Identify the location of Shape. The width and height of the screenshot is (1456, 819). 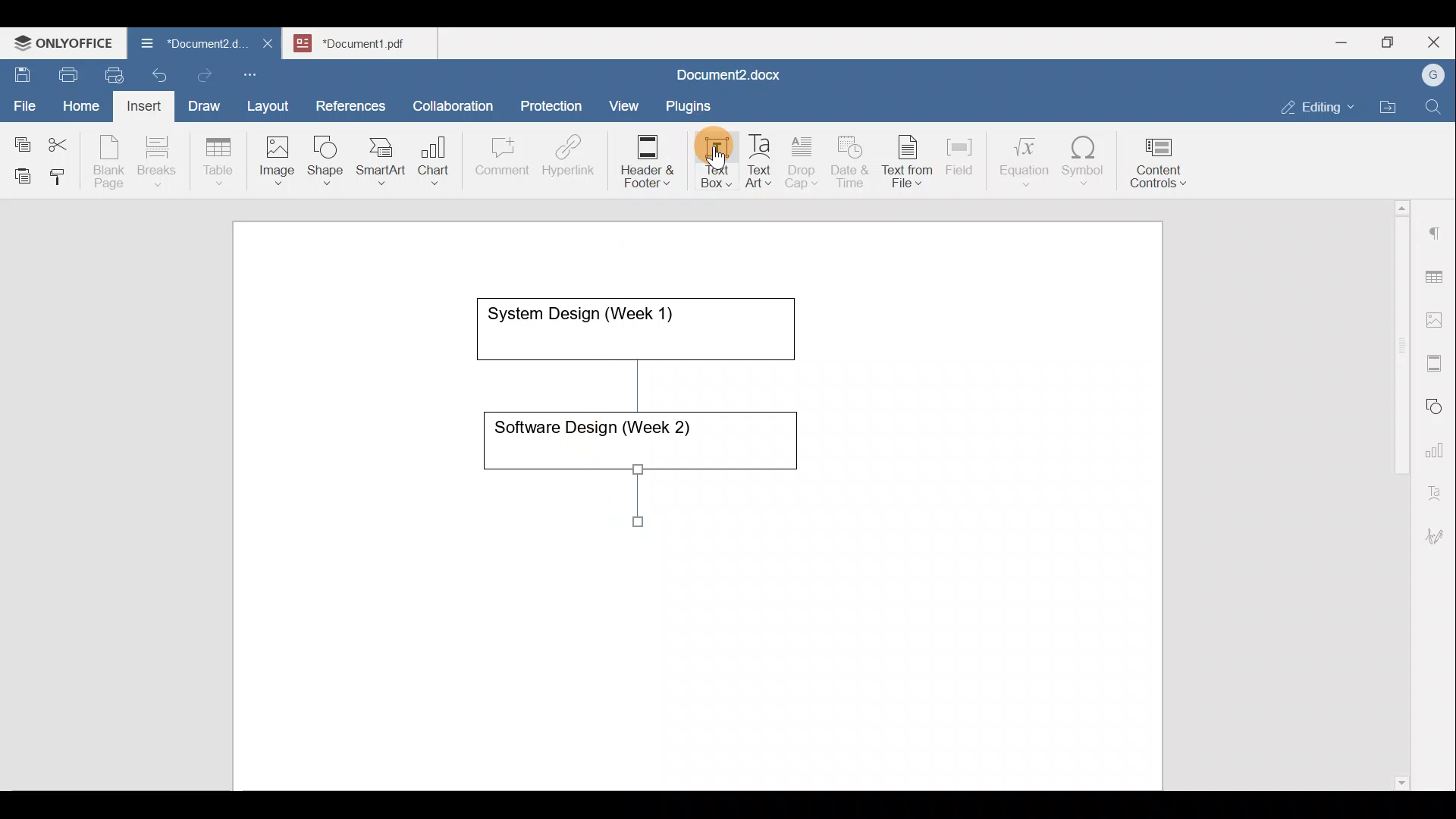
(327, 153).